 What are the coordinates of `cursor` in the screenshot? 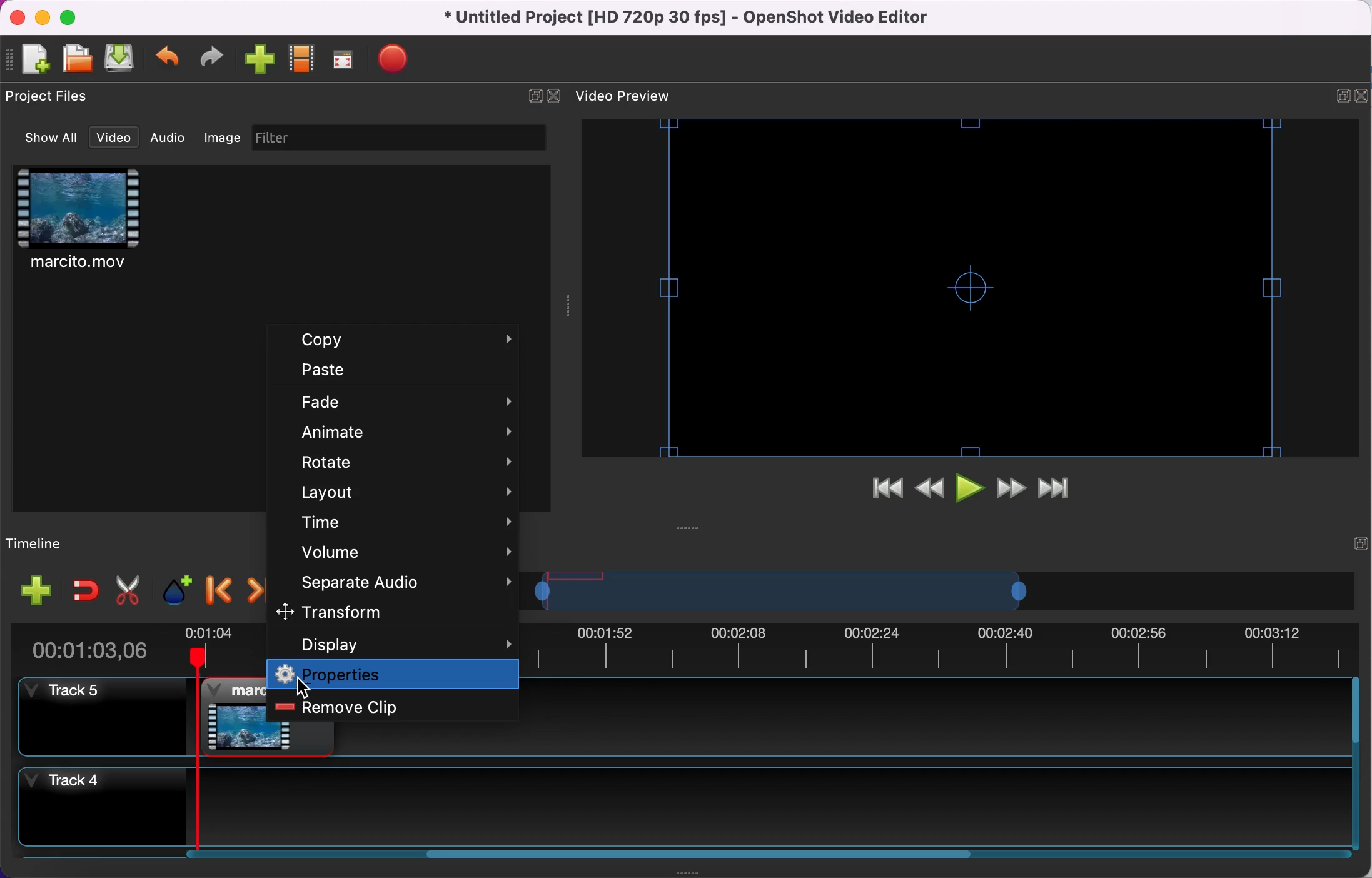 It's located at (303, 687).